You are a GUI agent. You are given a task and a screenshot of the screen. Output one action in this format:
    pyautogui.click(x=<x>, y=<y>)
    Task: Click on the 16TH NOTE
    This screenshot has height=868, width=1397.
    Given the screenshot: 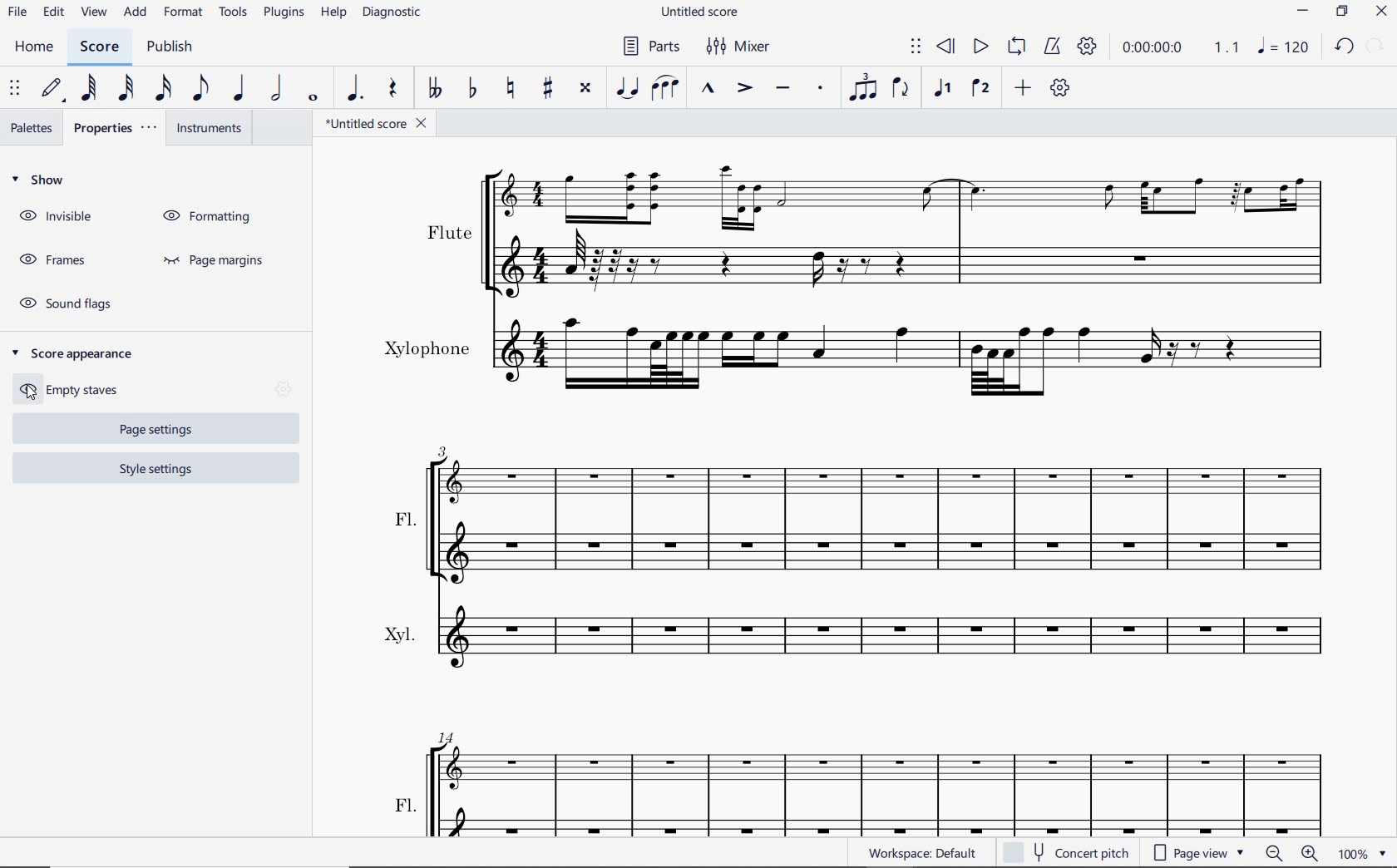 What is the action you would take?
    pyautogui.click(x=160, y=89)
    